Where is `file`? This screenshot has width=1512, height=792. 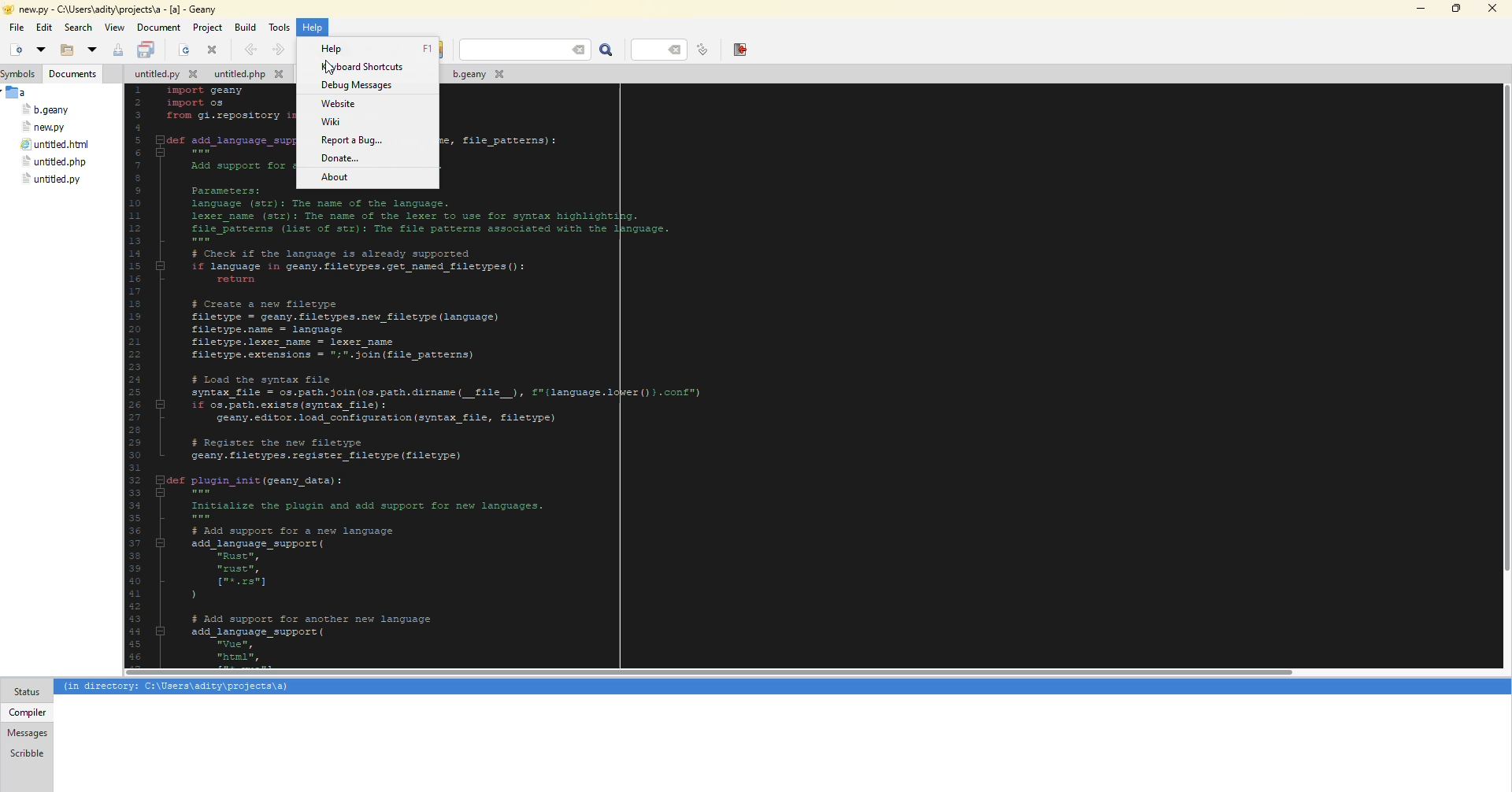 file is located at coordinates (17, 28).